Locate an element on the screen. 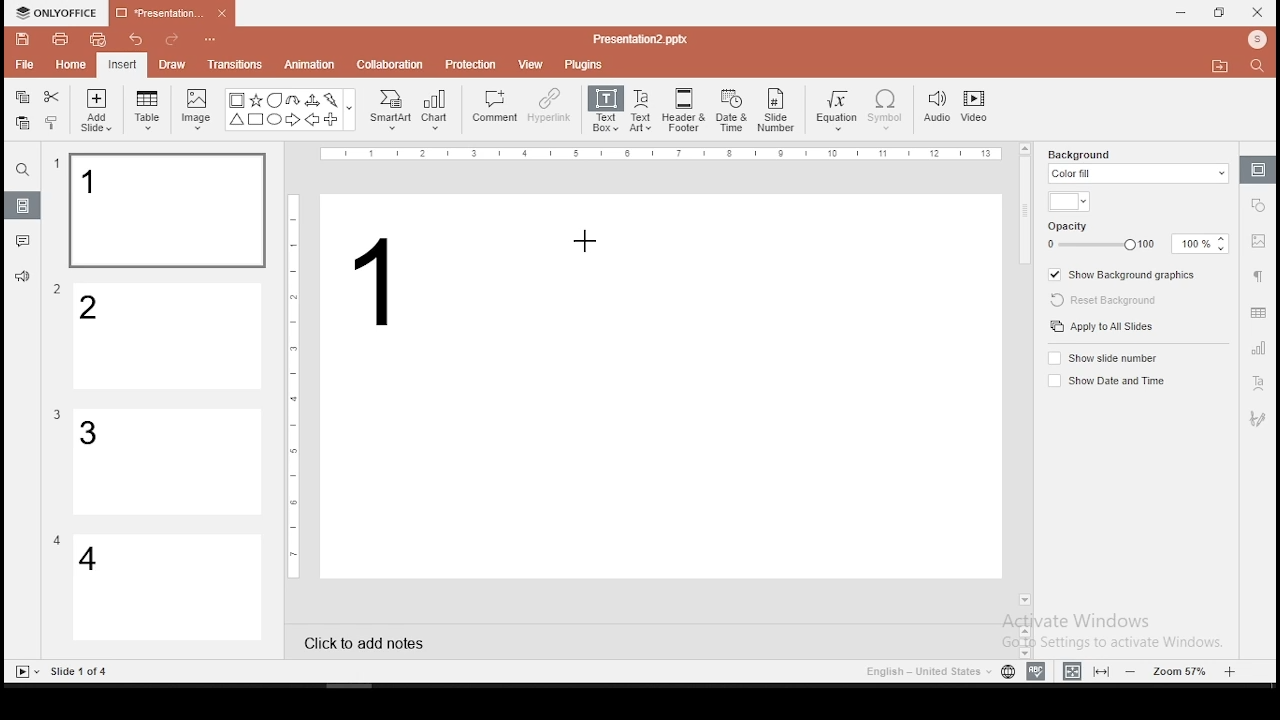 The height and width of the screenshot is (720, 1280). cut is located at coordinates (52, 96).